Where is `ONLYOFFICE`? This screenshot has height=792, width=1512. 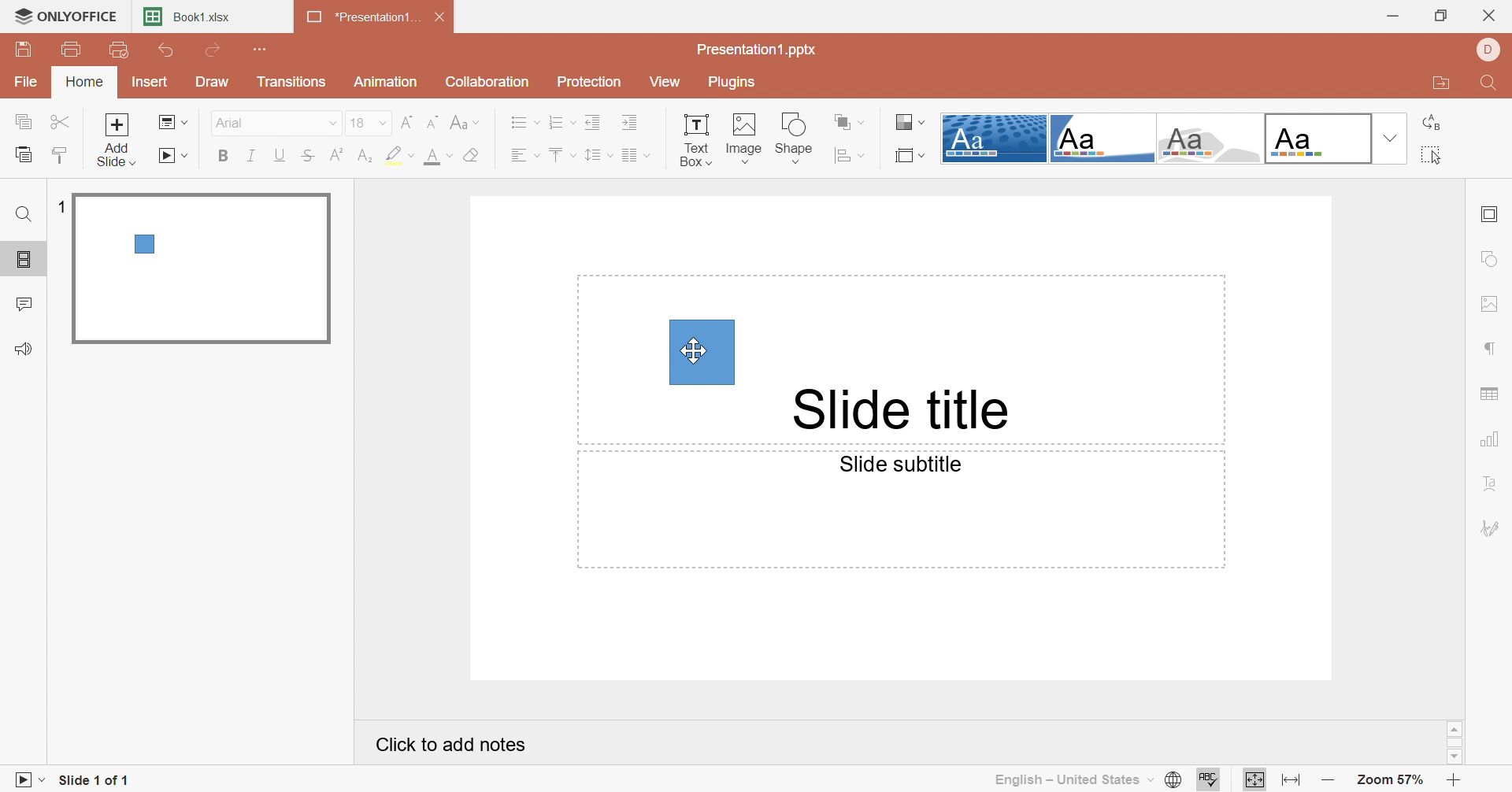 ONLYOFFICE is located at coordinates (72, 17).